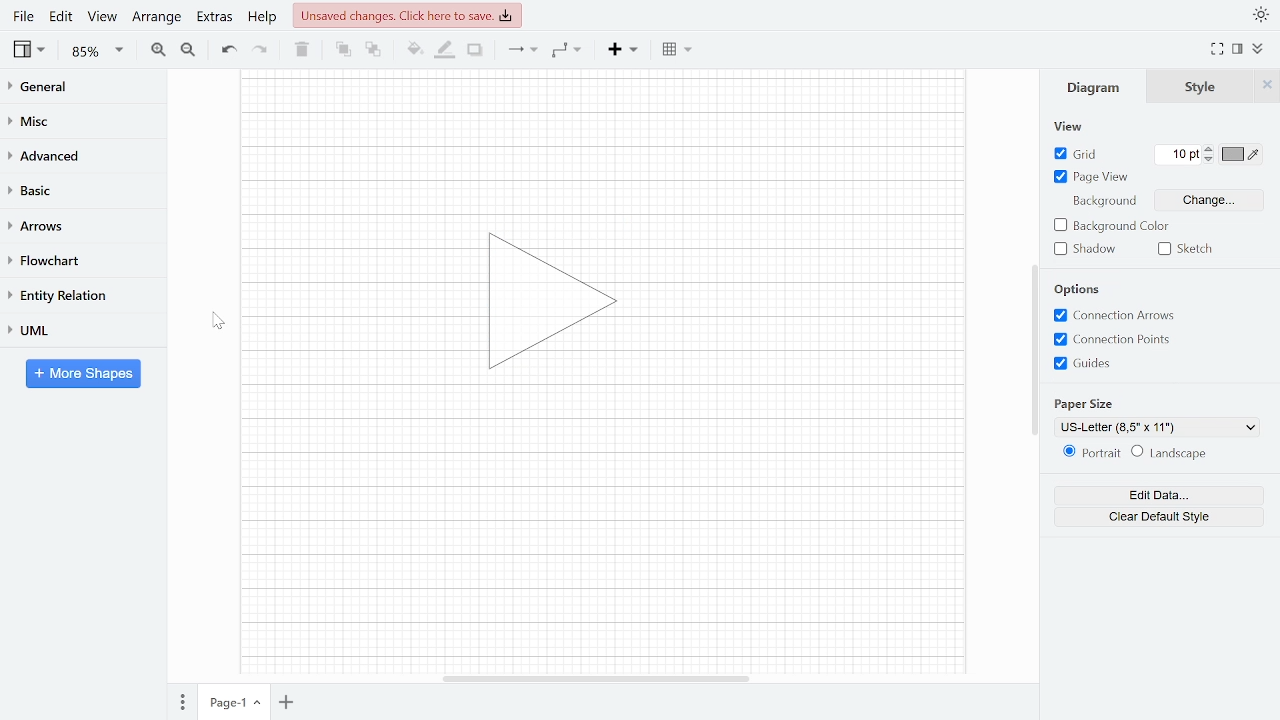 This screenshot has width=1280, height=720. Describe the element at coordinates (228, 50) in the screenshot. I see `Undo` at that location.